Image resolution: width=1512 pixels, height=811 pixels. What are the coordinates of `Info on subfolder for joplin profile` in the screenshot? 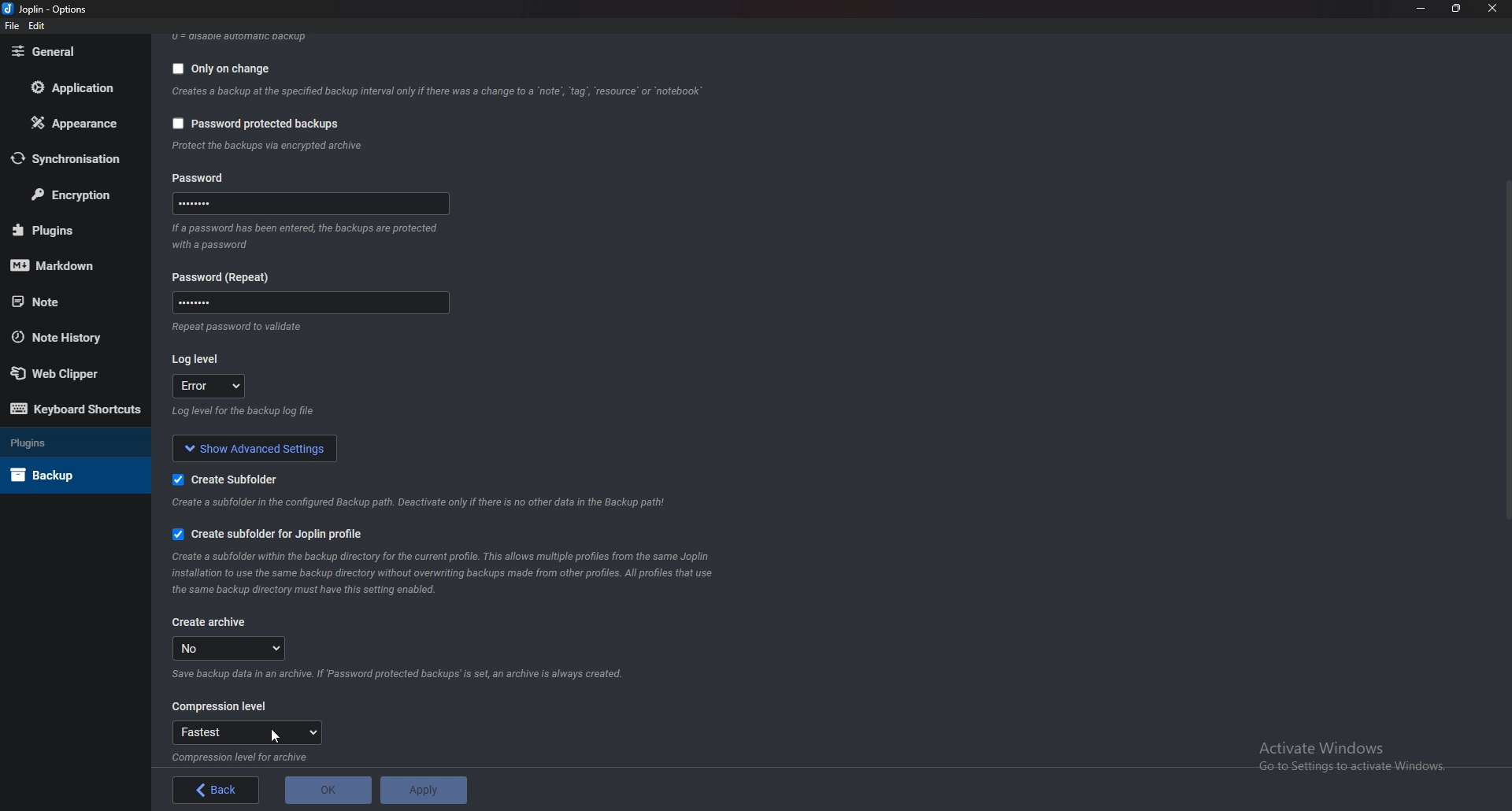 It's located at (447, 576).